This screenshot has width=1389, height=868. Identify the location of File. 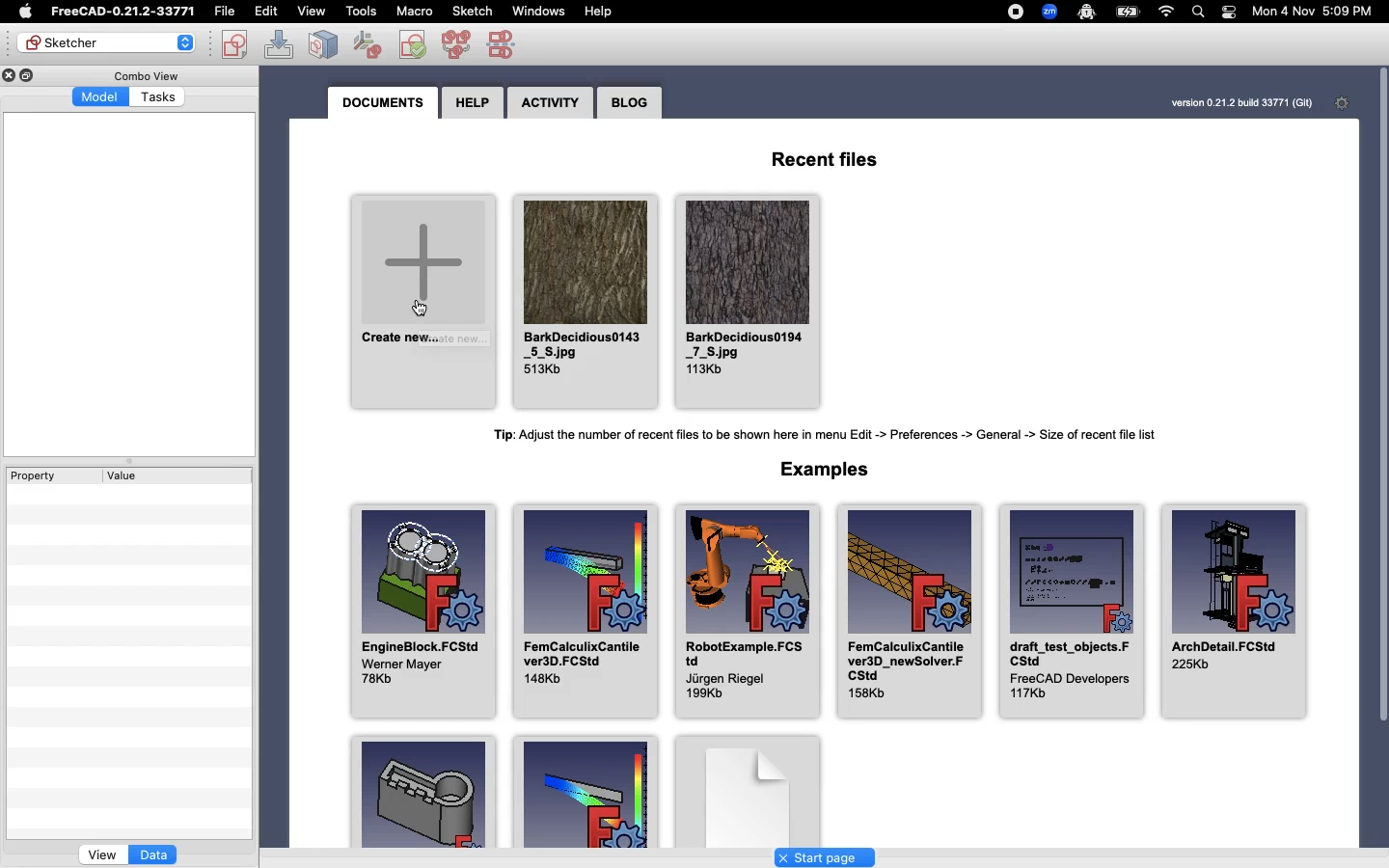
(223, 10).